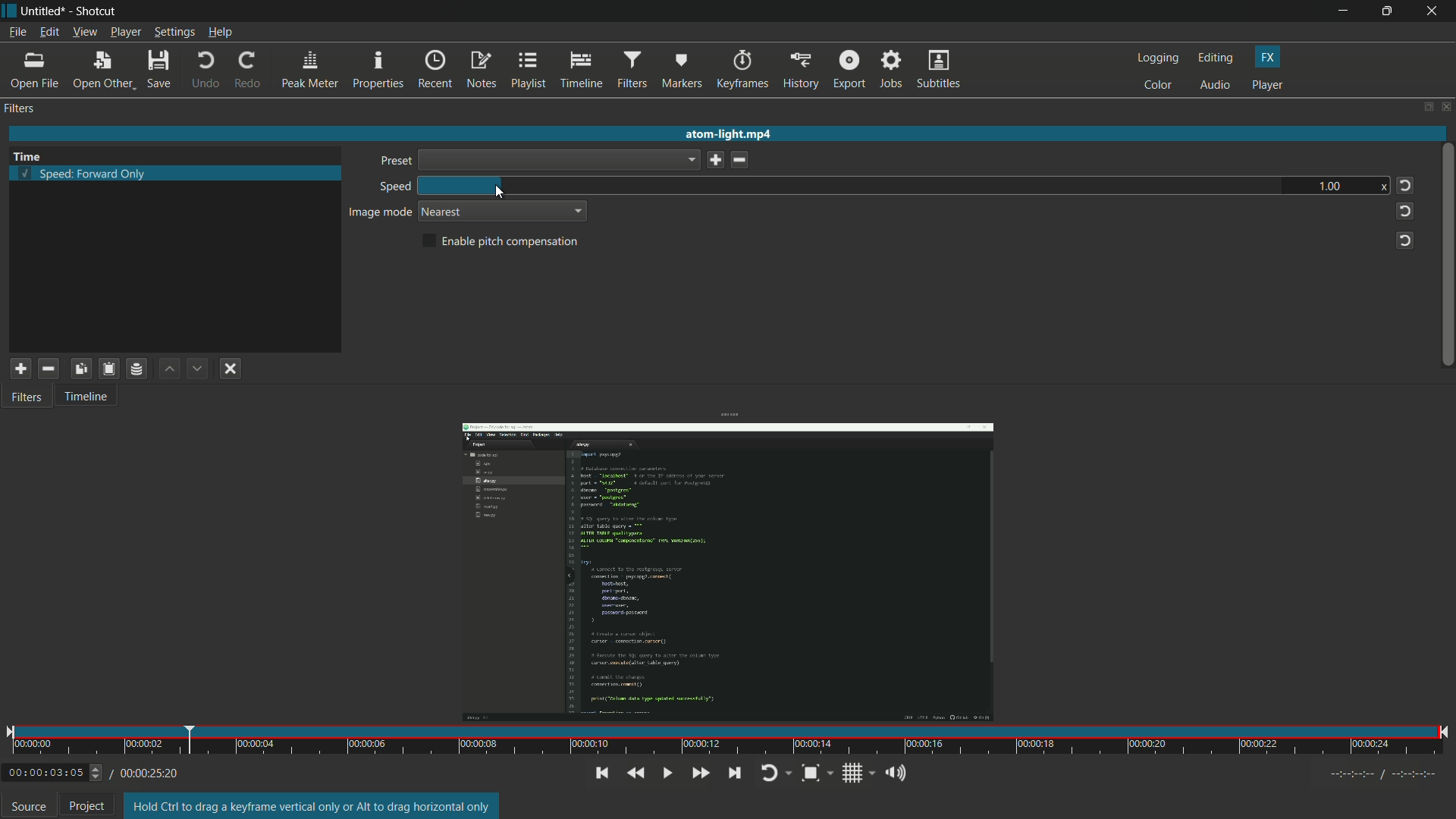  Describe the element at coordinates (1404, 185) in the screenshot. I see `reset to default` at that location.